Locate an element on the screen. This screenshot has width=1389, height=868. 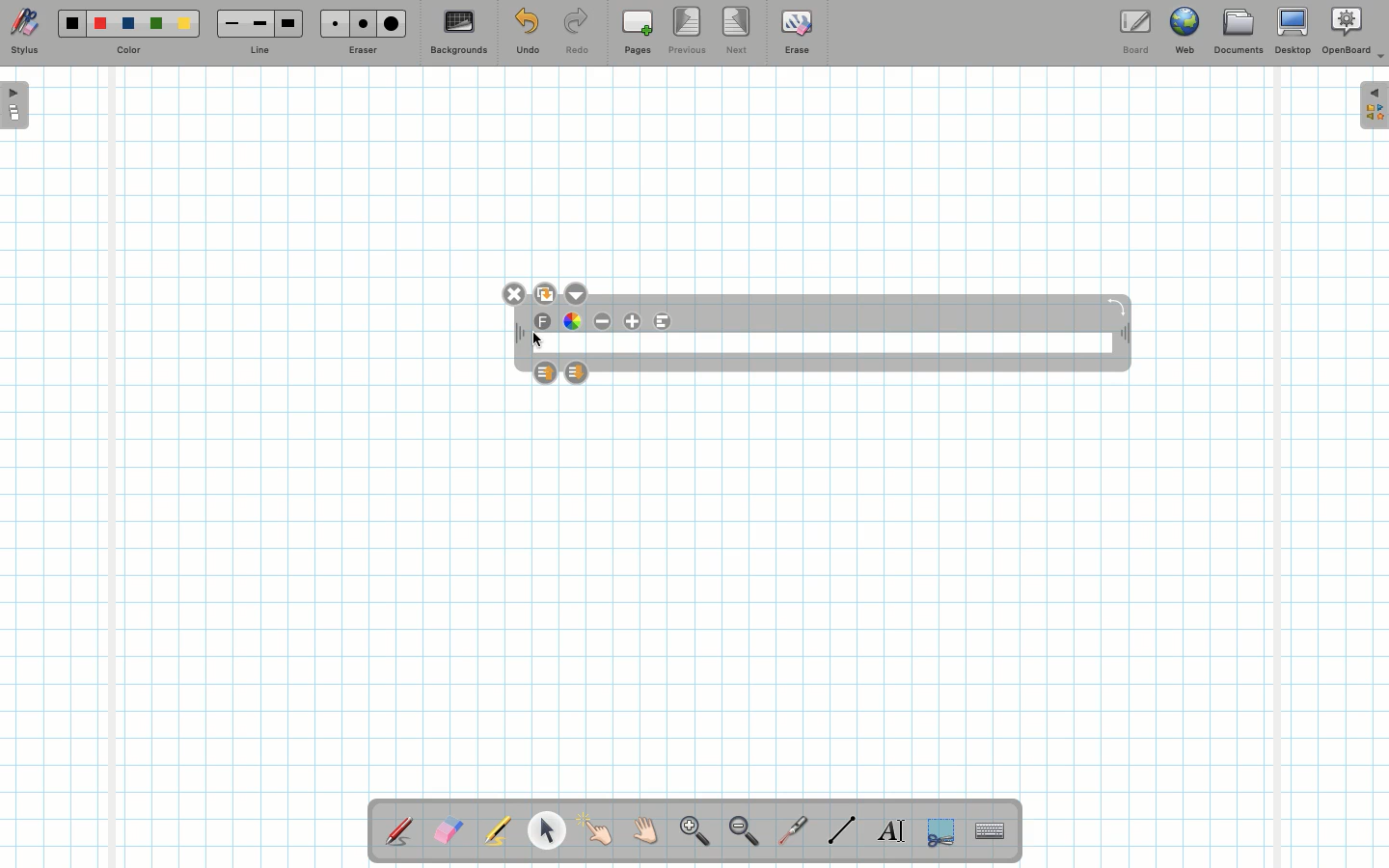
Web is located at coordinates (1184, 35).